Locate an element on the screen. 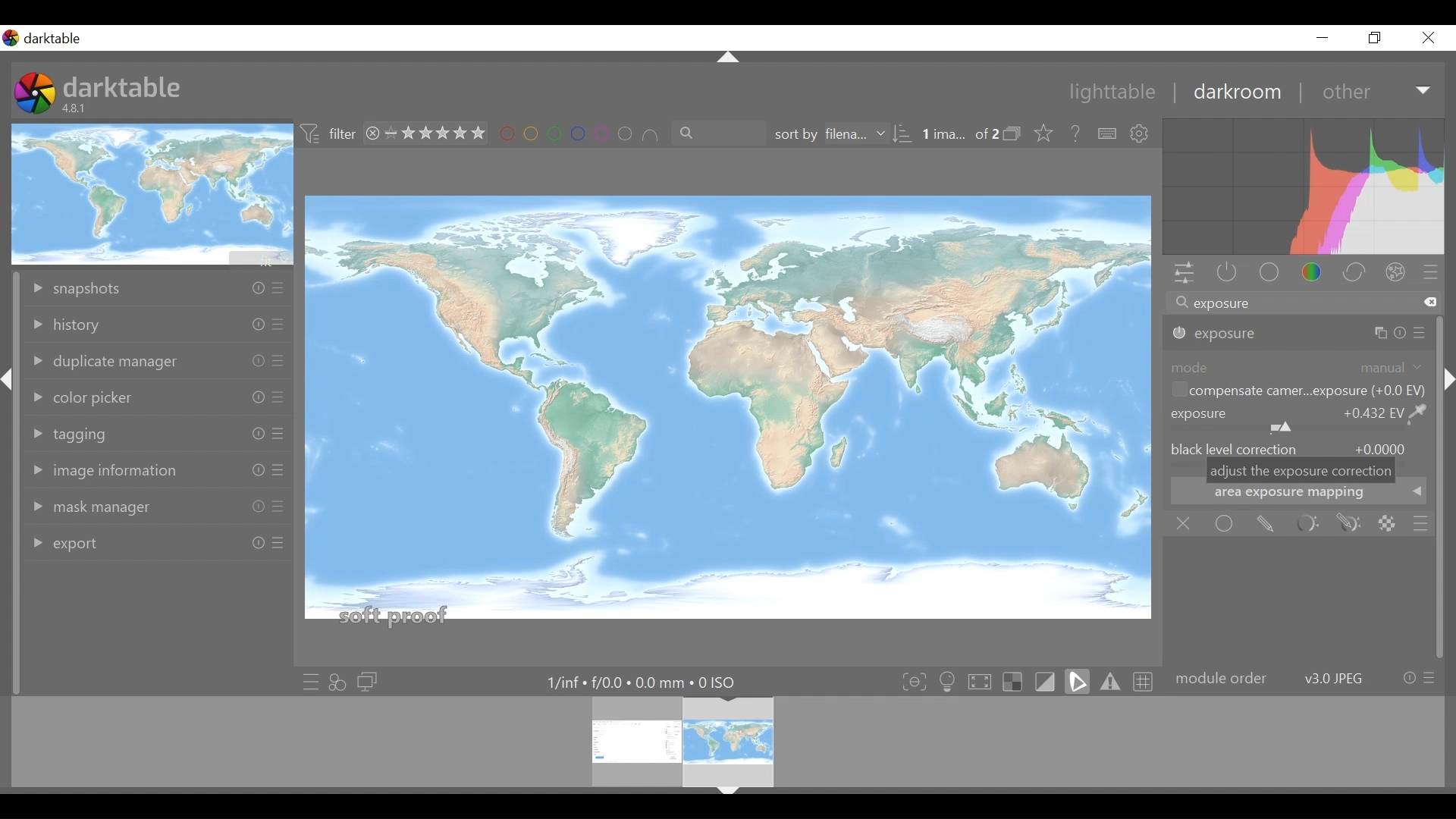 This screenshot has width=1456, height=819.  is located at coordinates (1386, 333).